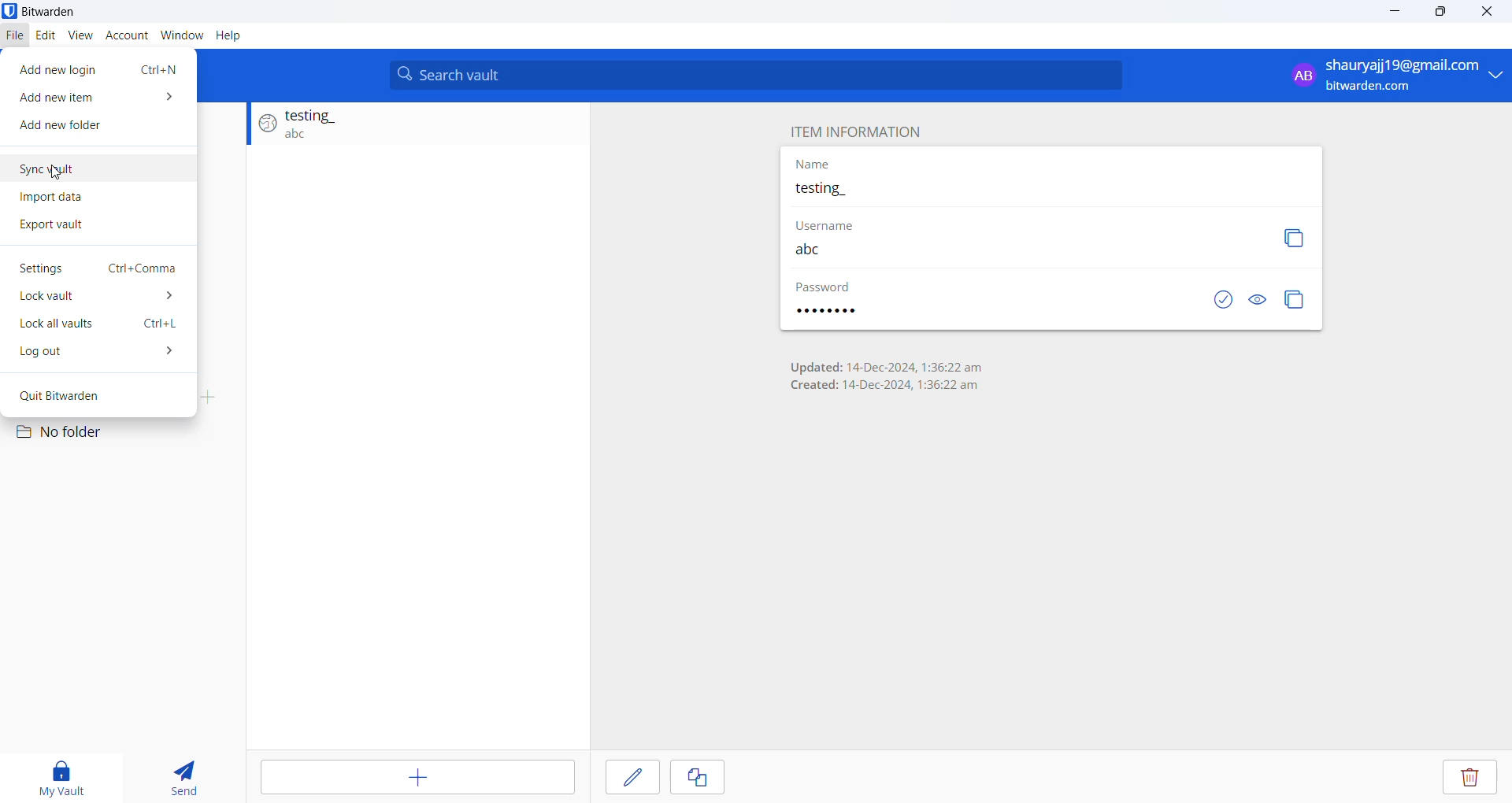  I want to click on Username, so click(1015, 250).